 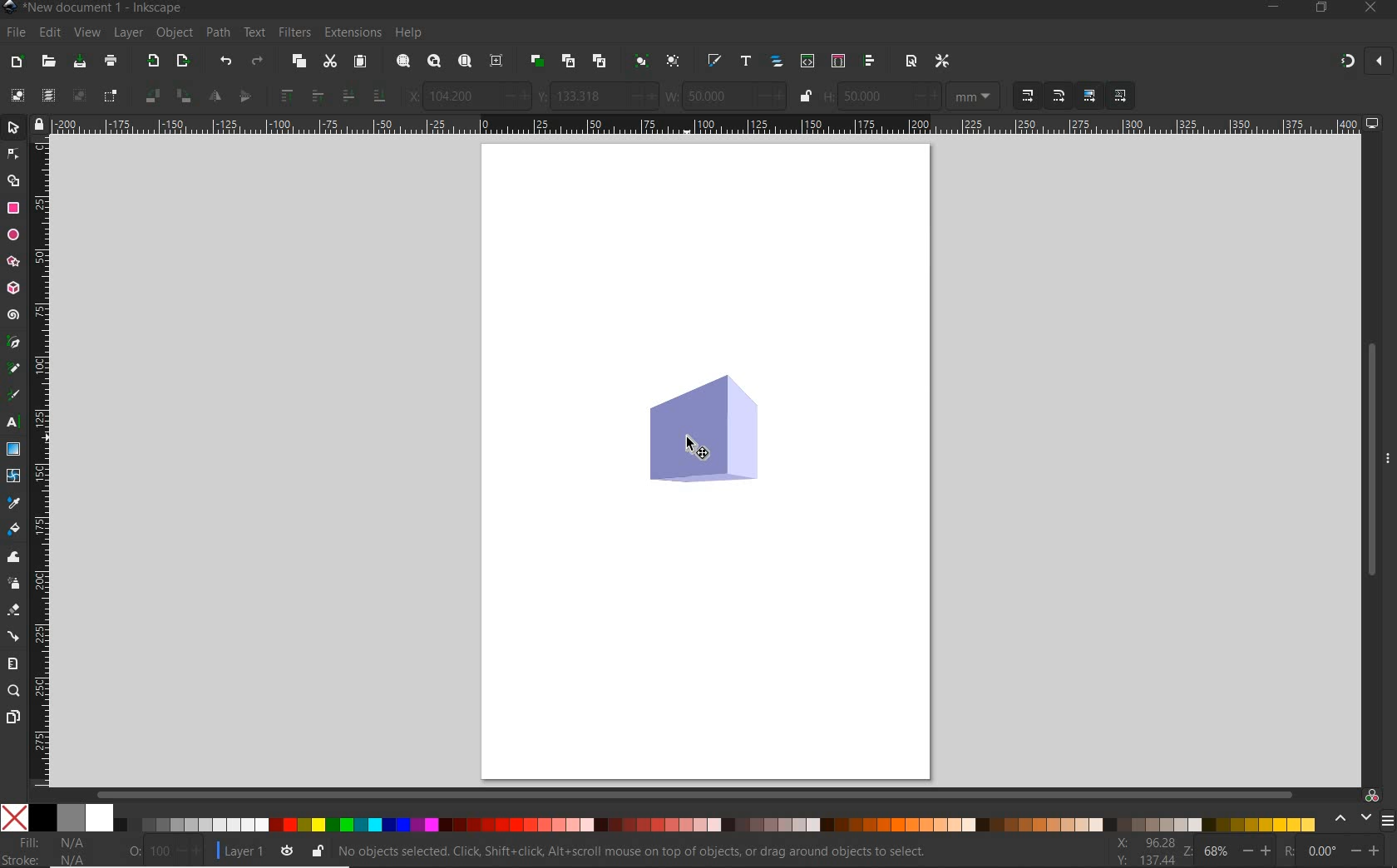 I want to click on path, so click(x=216, y=32).